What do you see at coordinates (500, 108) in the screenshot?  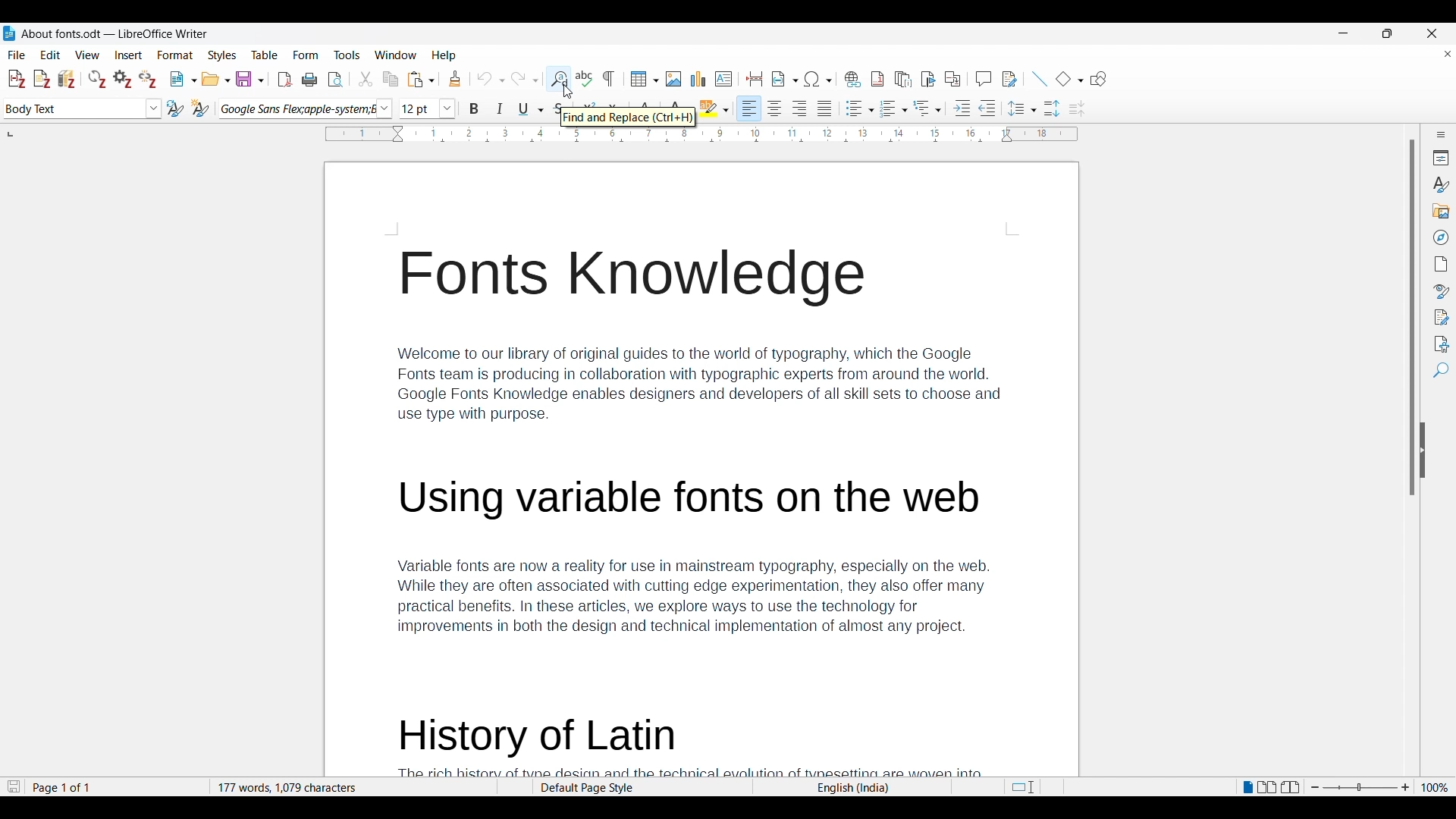 I see `Italics` at bounding box center [500, 108].